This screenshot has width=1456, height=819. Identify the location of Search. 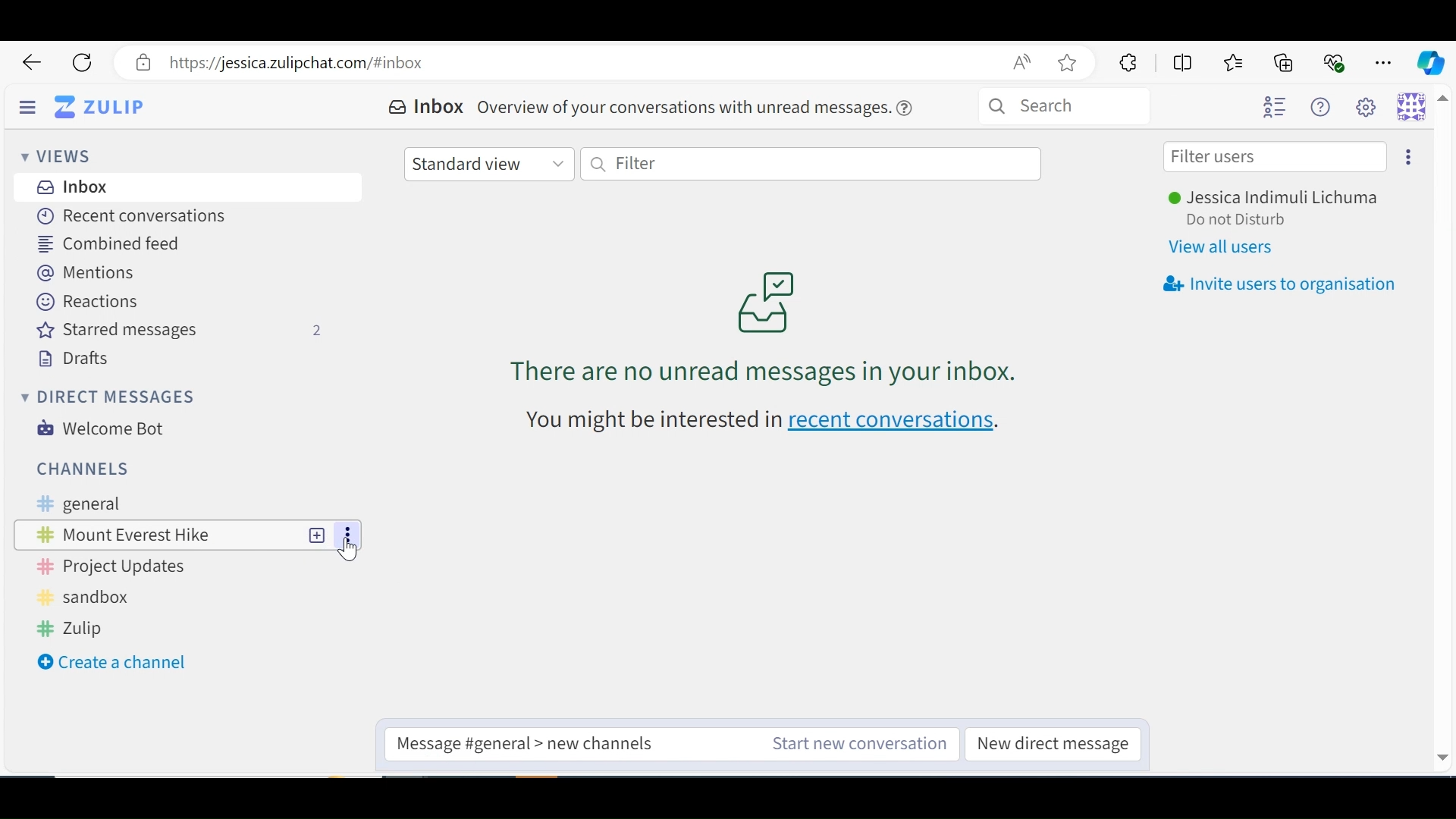
(1090, 108).